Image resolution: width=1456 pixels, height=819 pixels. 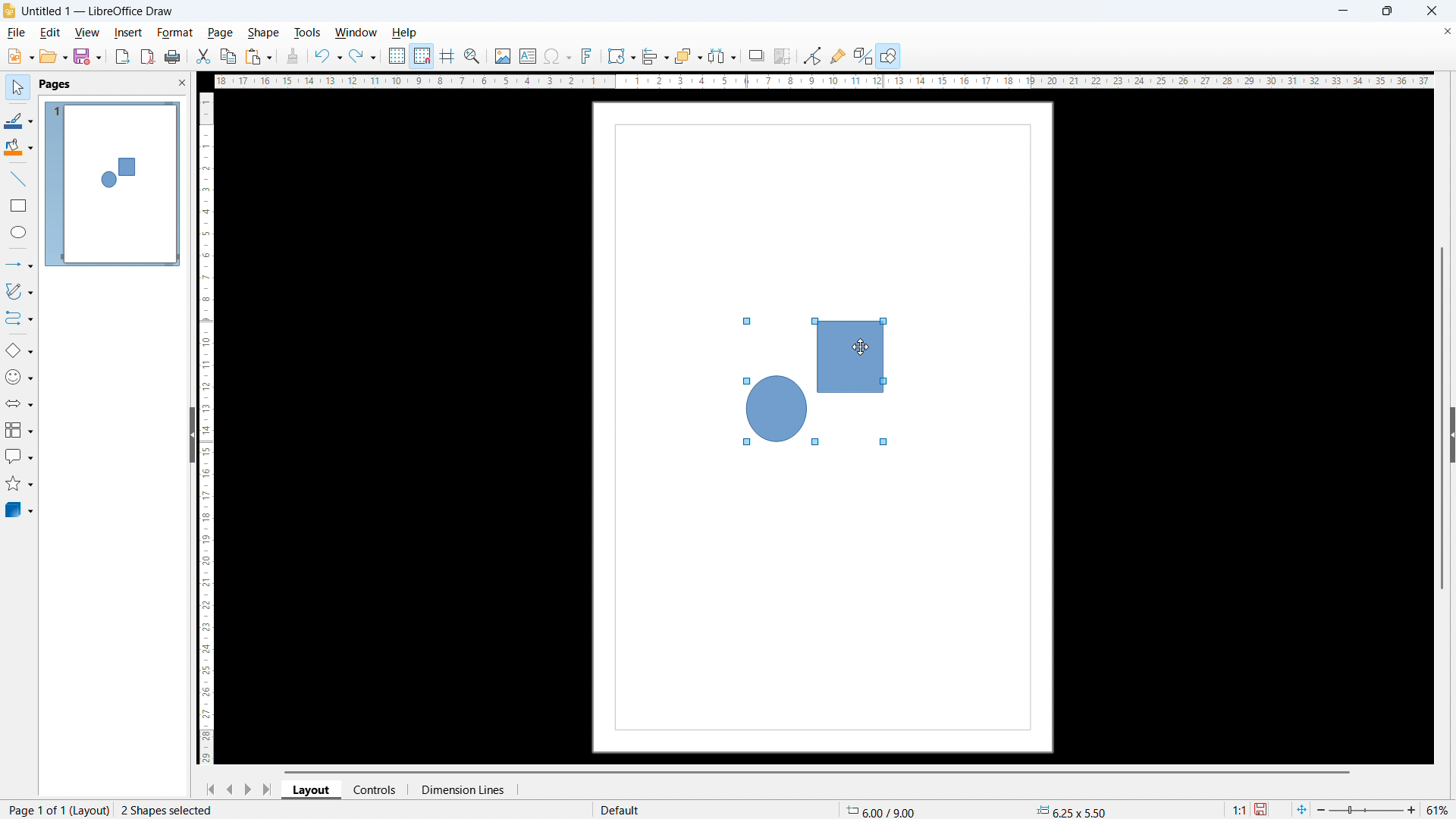 I want to click on block arrows, so click(x=20, y=403).